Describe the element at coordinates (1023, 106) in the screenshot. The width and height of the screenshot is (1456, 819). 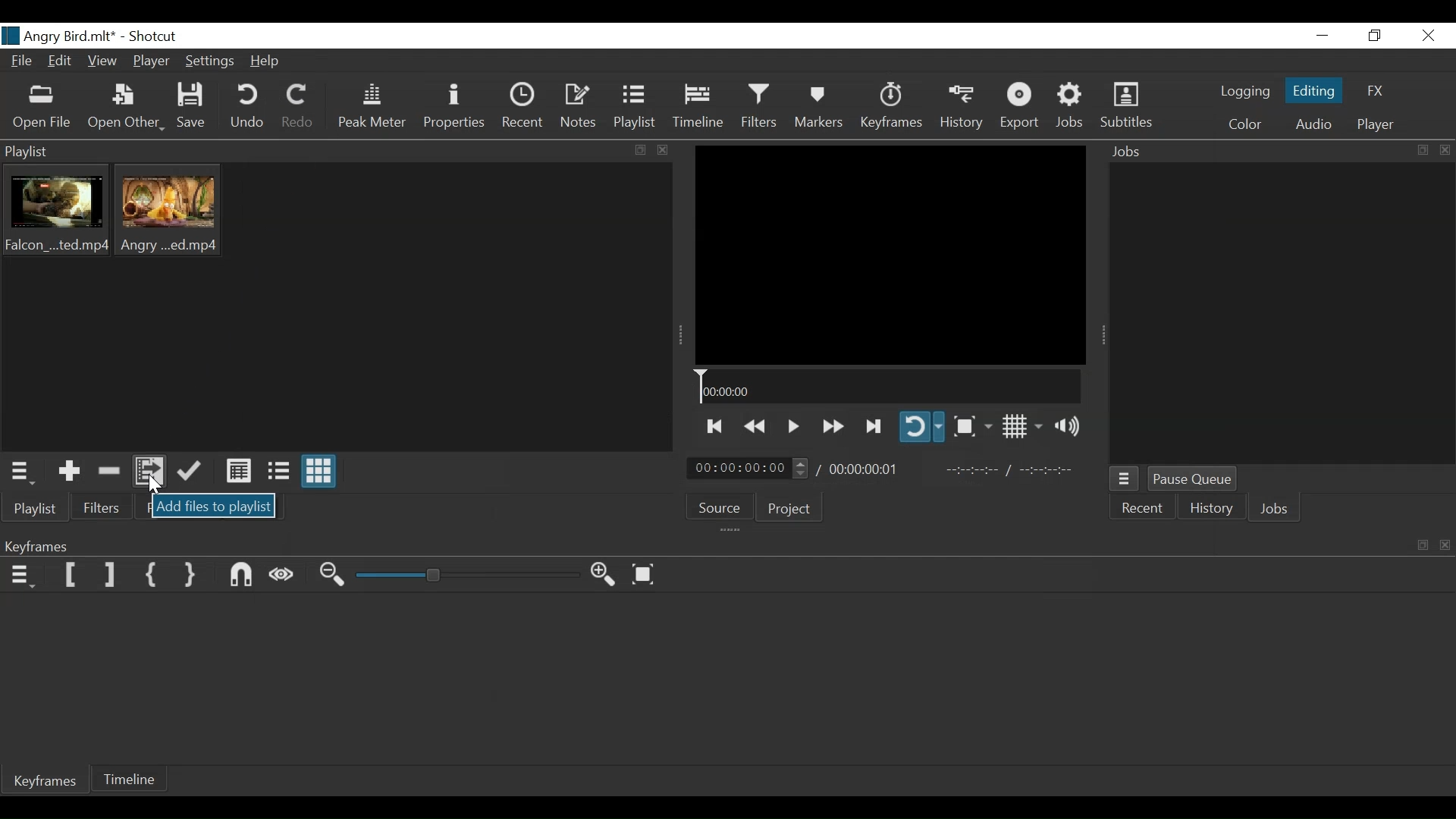
I see `Export` at that location.